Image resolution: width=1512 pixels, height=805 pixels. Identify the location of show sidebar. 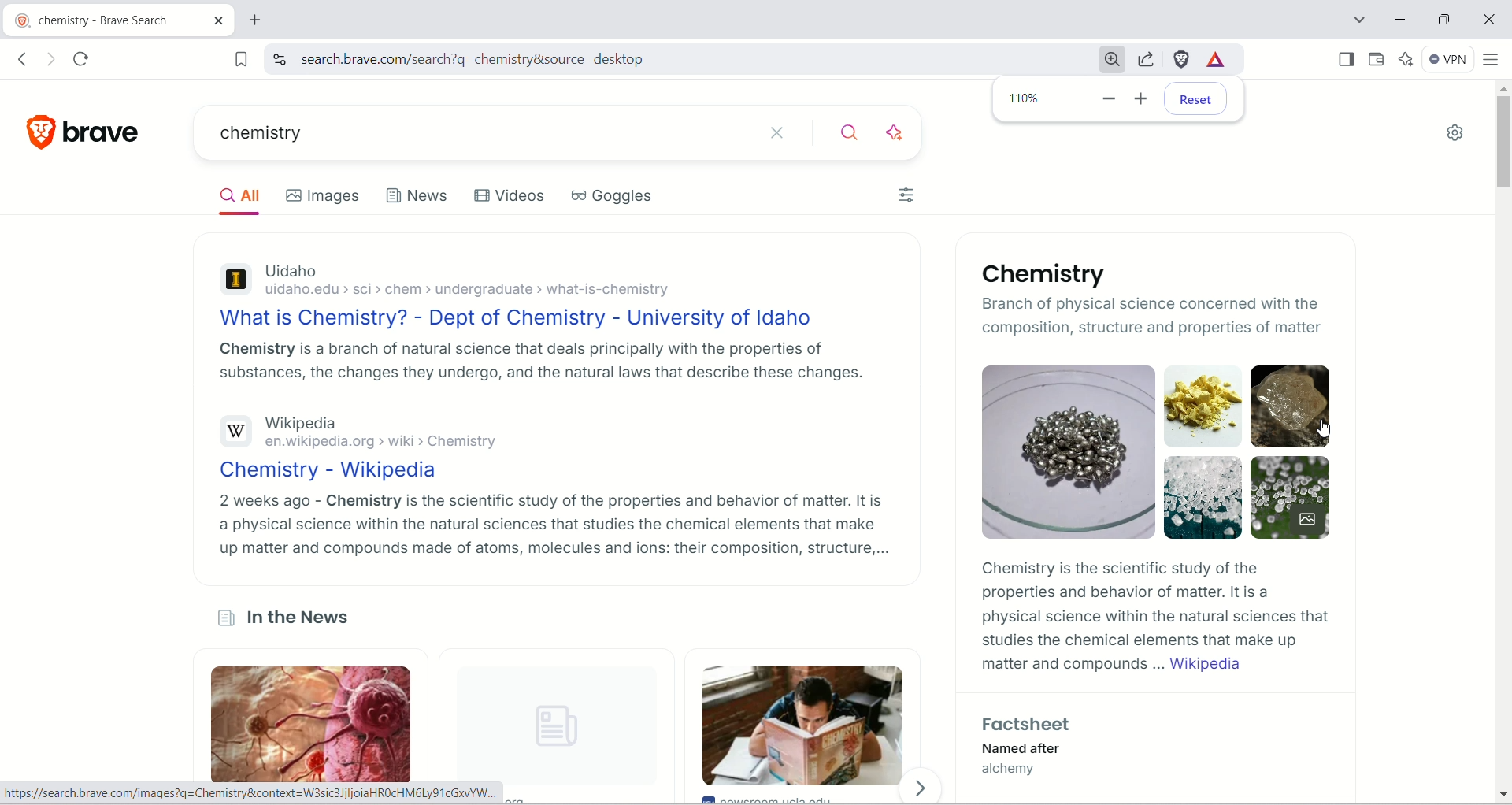
(1345, 59).